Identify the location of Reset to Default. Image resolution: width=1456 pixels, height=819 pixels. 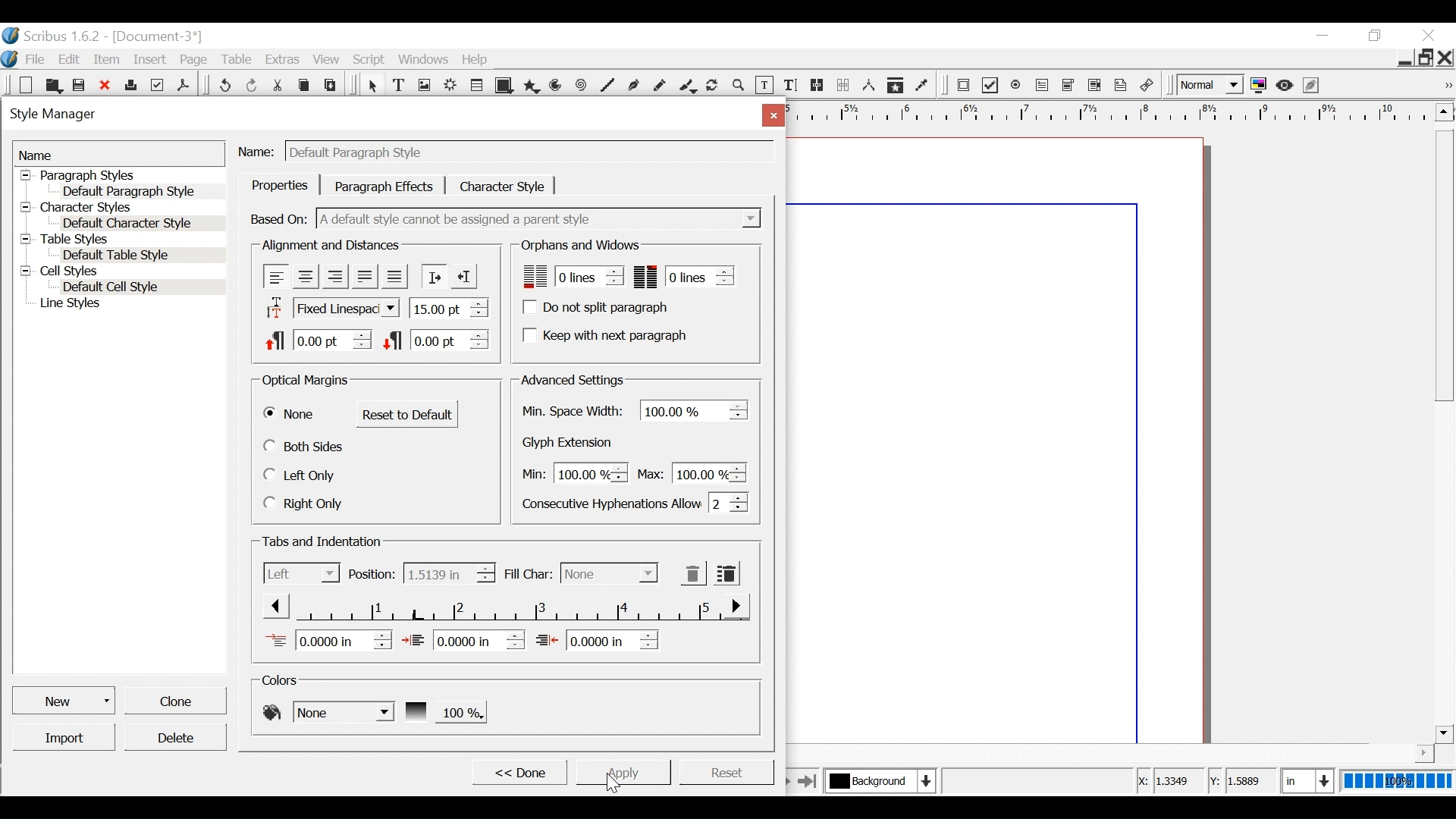
(407, 414).